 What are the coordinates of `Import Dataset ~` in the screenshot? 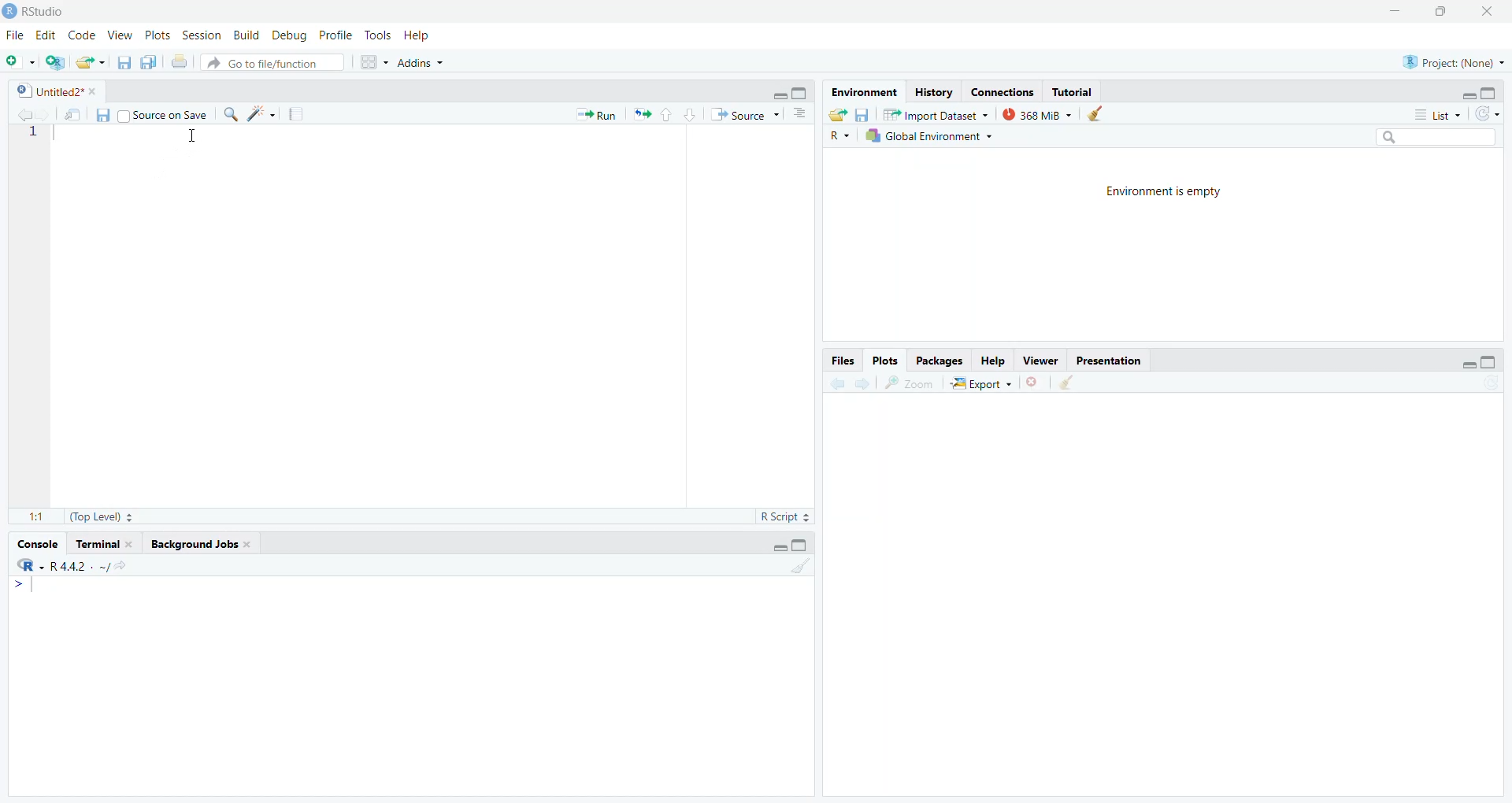 It's located at (937, 113).